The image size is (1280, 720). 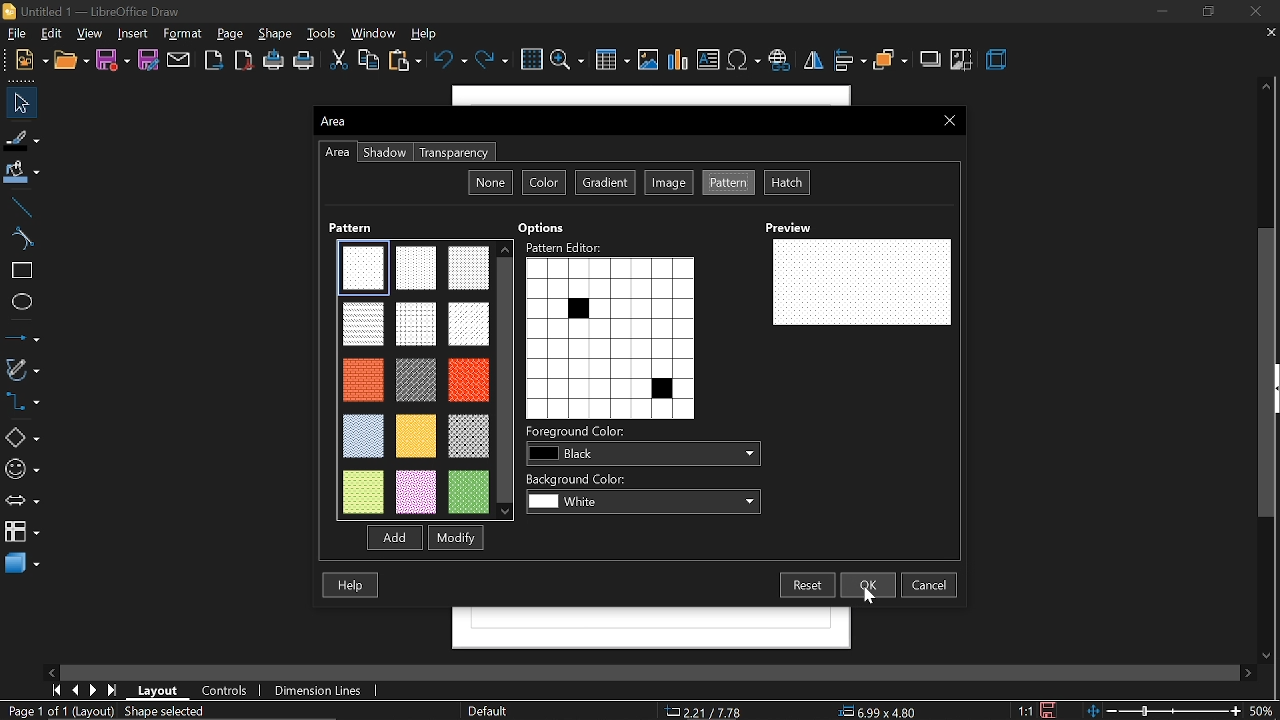 I want to click on window, so click(x=374, y=33).